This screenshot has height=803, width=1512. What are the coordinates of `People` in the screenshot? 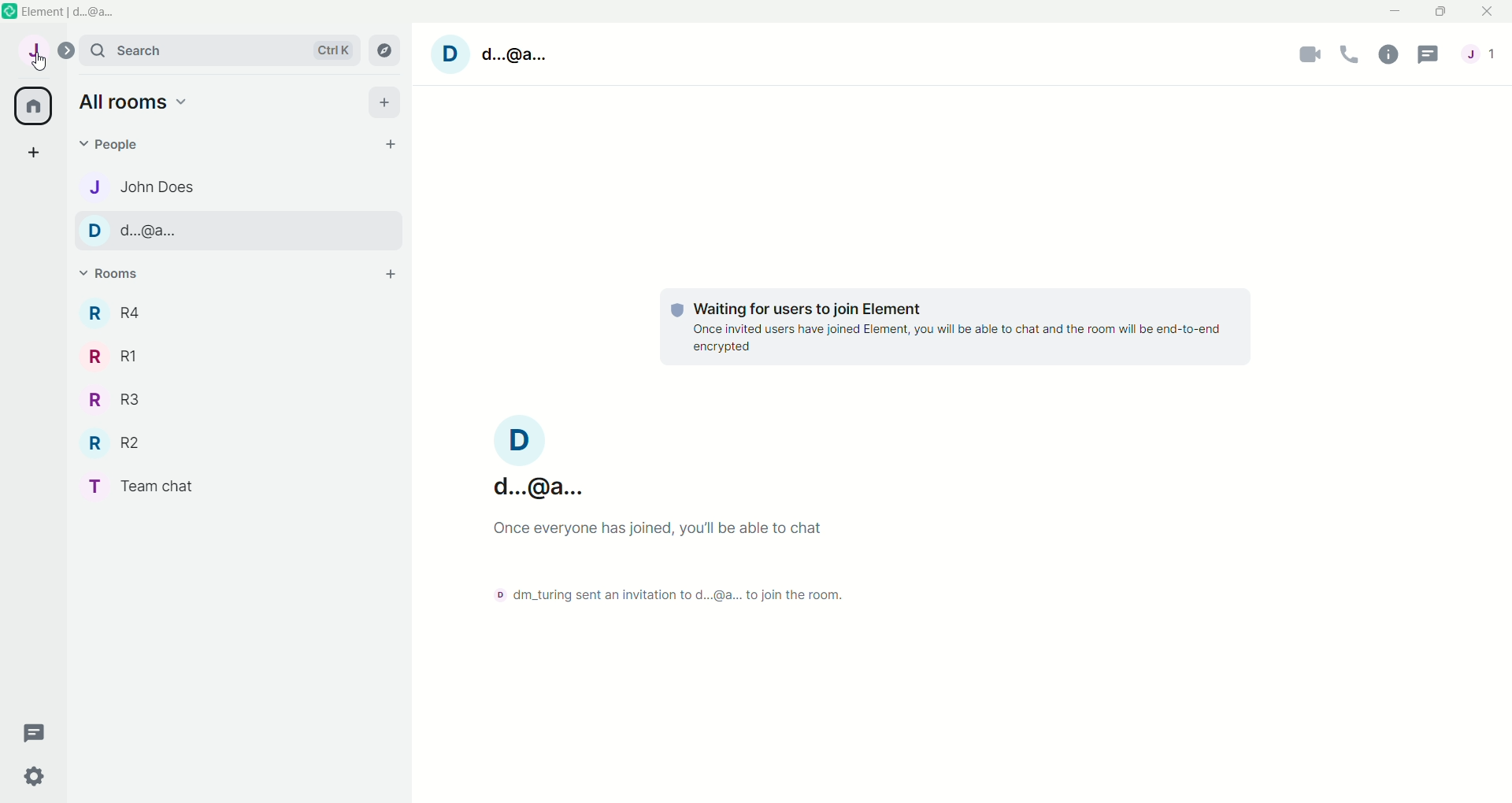 It's located at (1480, 54).